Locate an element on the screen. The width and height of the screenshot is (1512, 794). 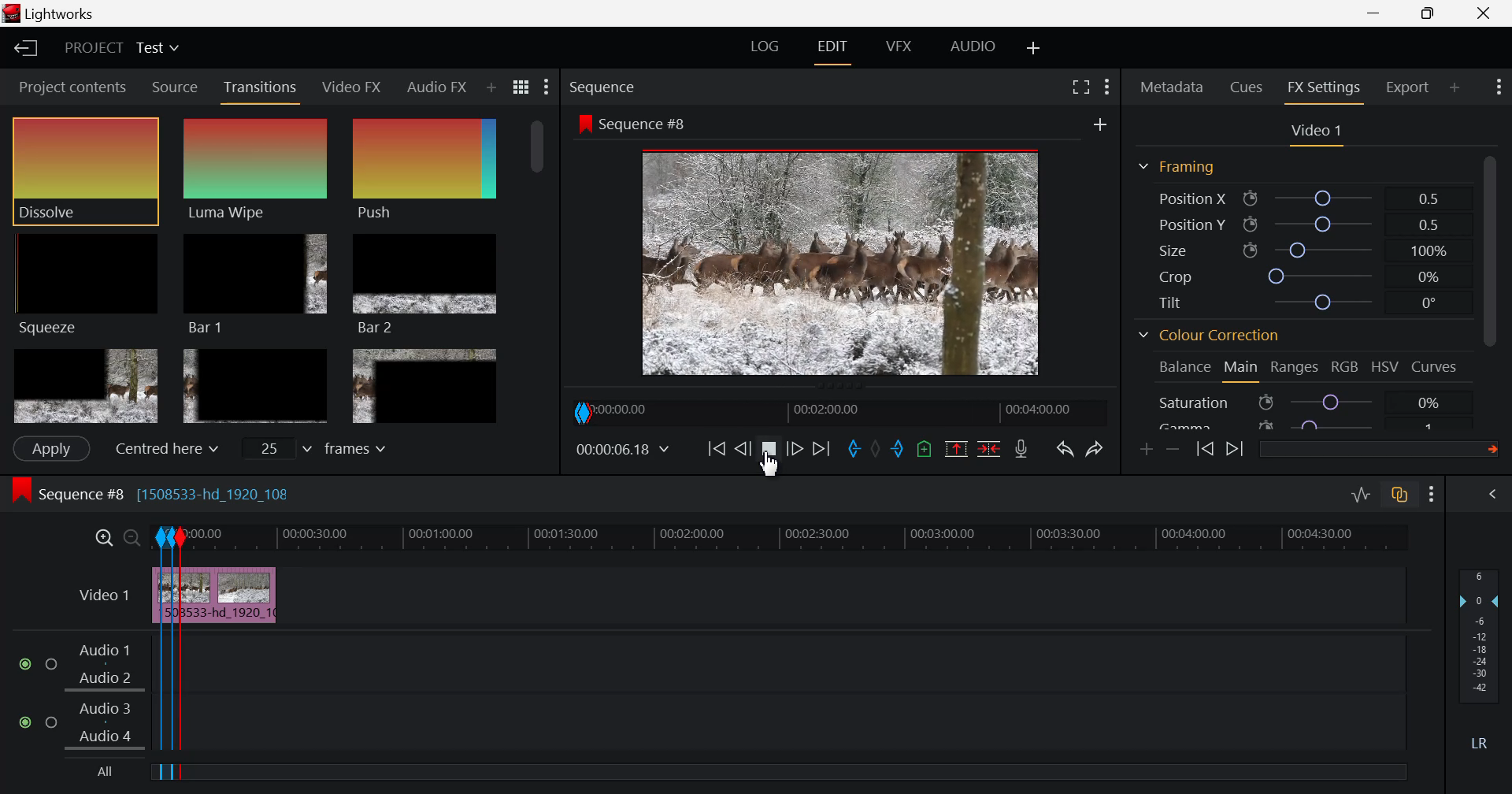
Transitions Tab Open is located at coordinates (264, 88).